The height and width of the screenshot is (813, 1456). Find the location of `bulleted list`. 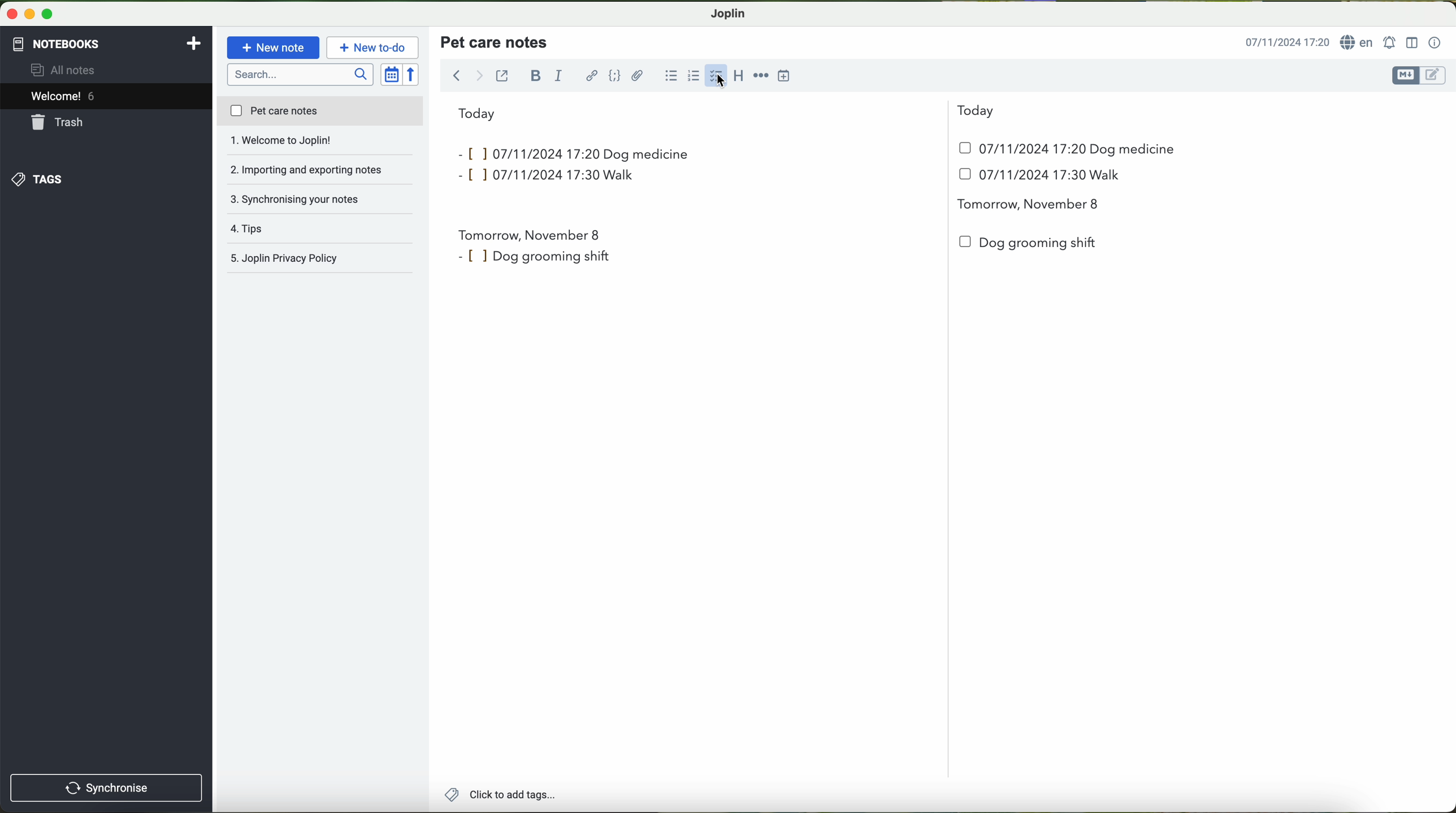

bulleted list is located at coordinates (669, 76).